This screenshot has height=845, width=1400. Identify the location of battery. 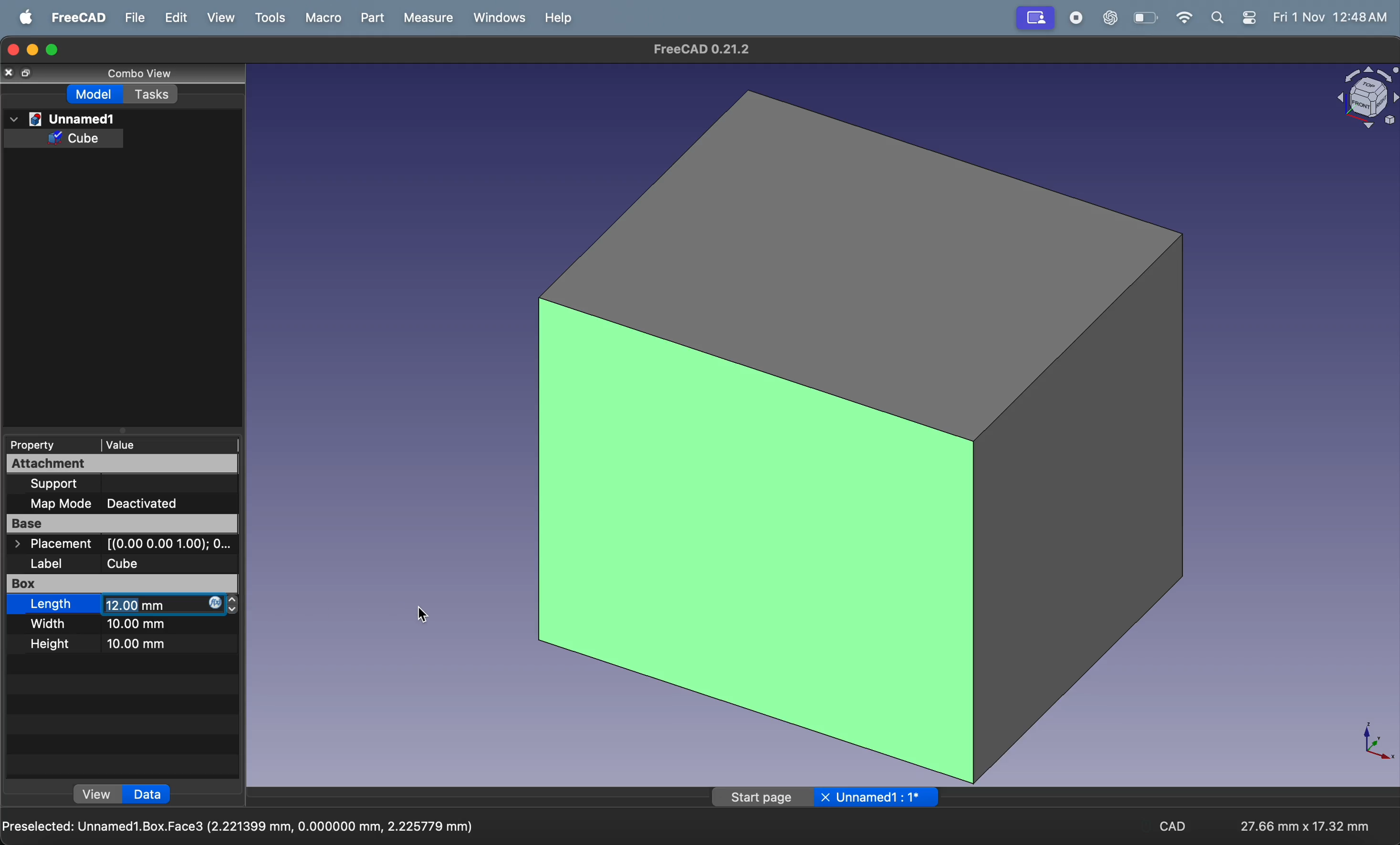
(1147, 17).